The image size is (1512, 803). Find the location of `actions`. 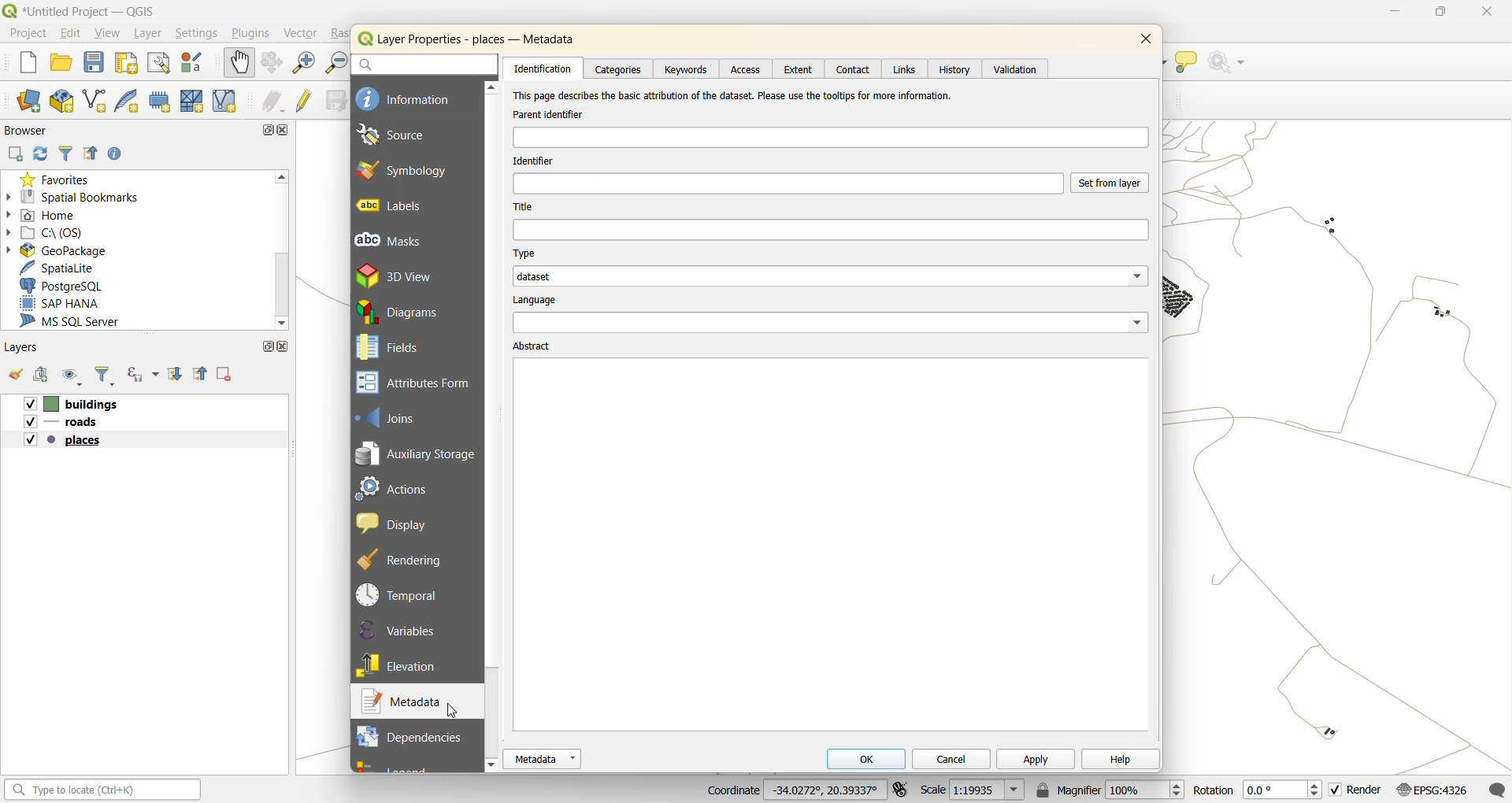

actions is located at coordinates (396, 493).